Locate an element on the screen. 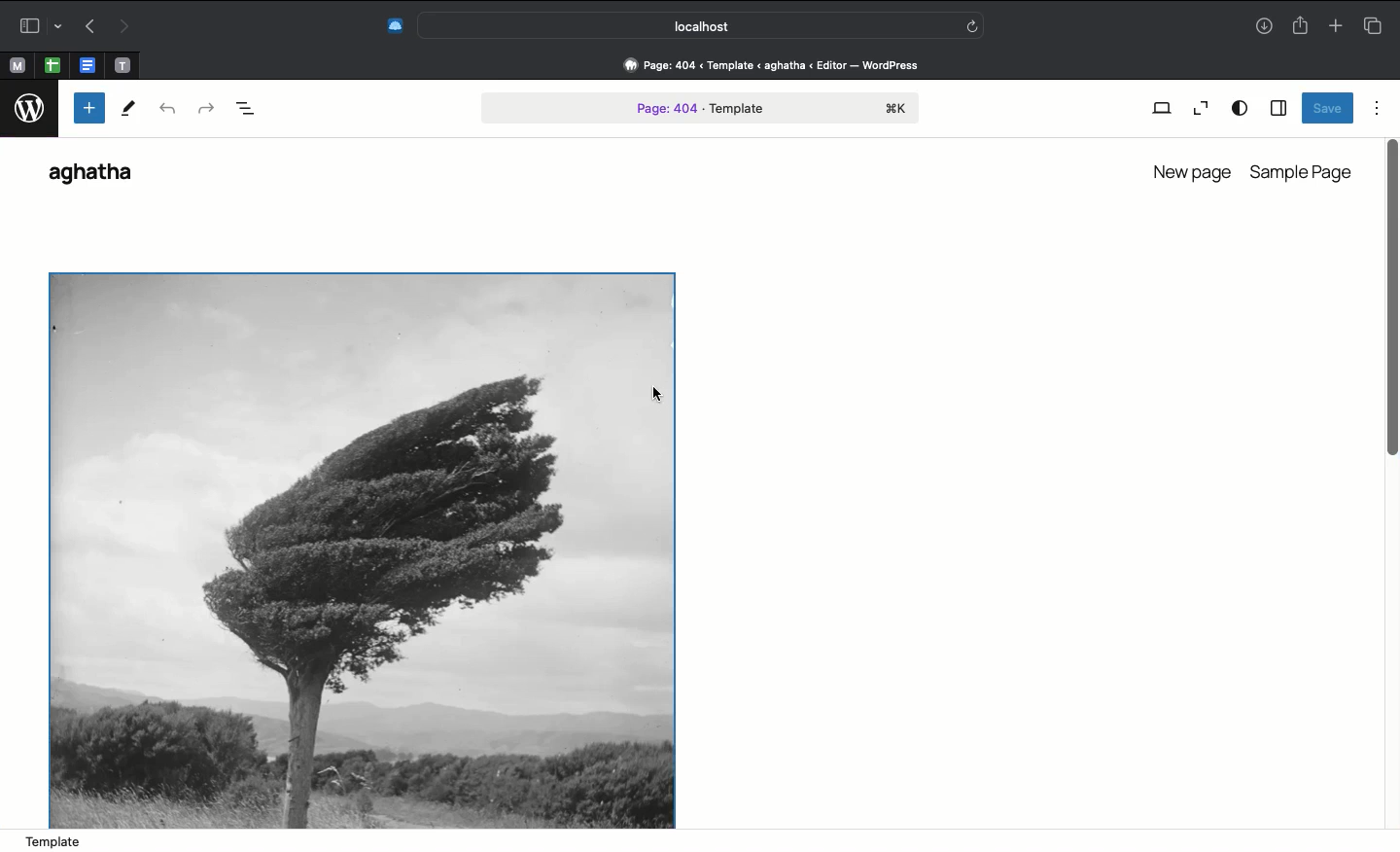  open tab, google docs is located at coordinates (86, 66).